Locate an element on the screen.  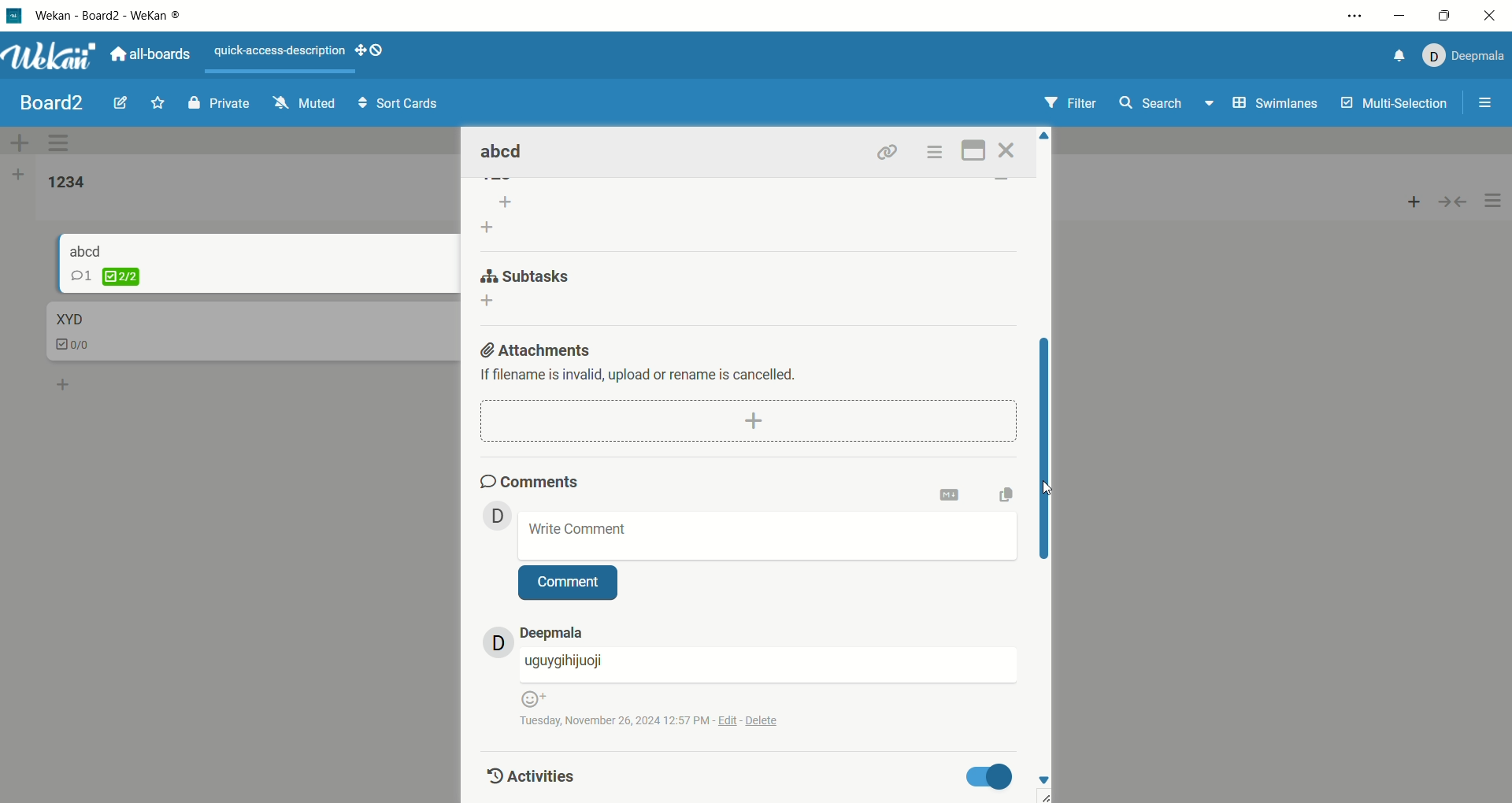
checklist is located at coordinates (75, 346).